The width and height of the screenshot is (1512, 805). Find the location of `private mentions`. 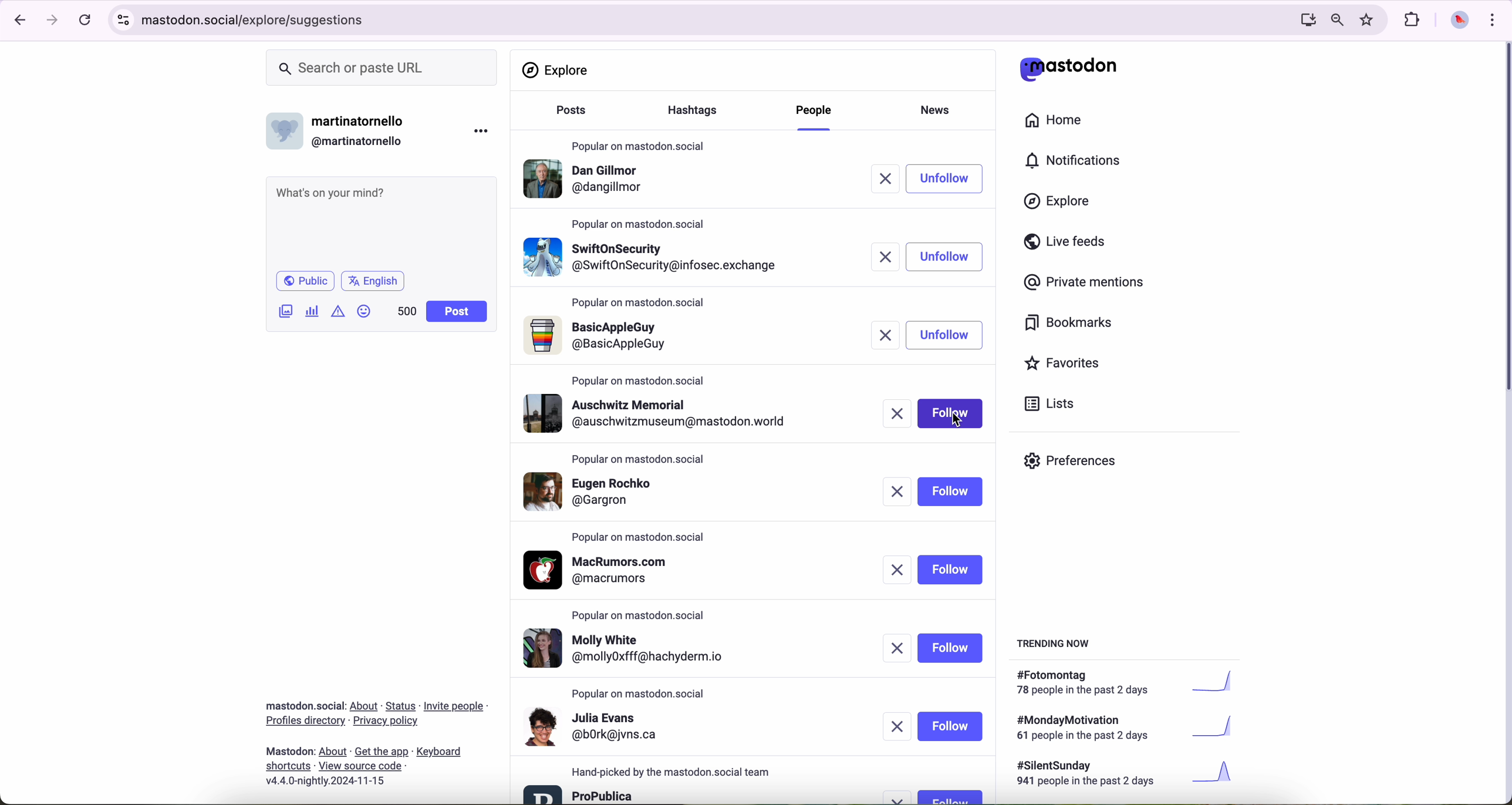

private mentions is located at coordinates (1085, 283).